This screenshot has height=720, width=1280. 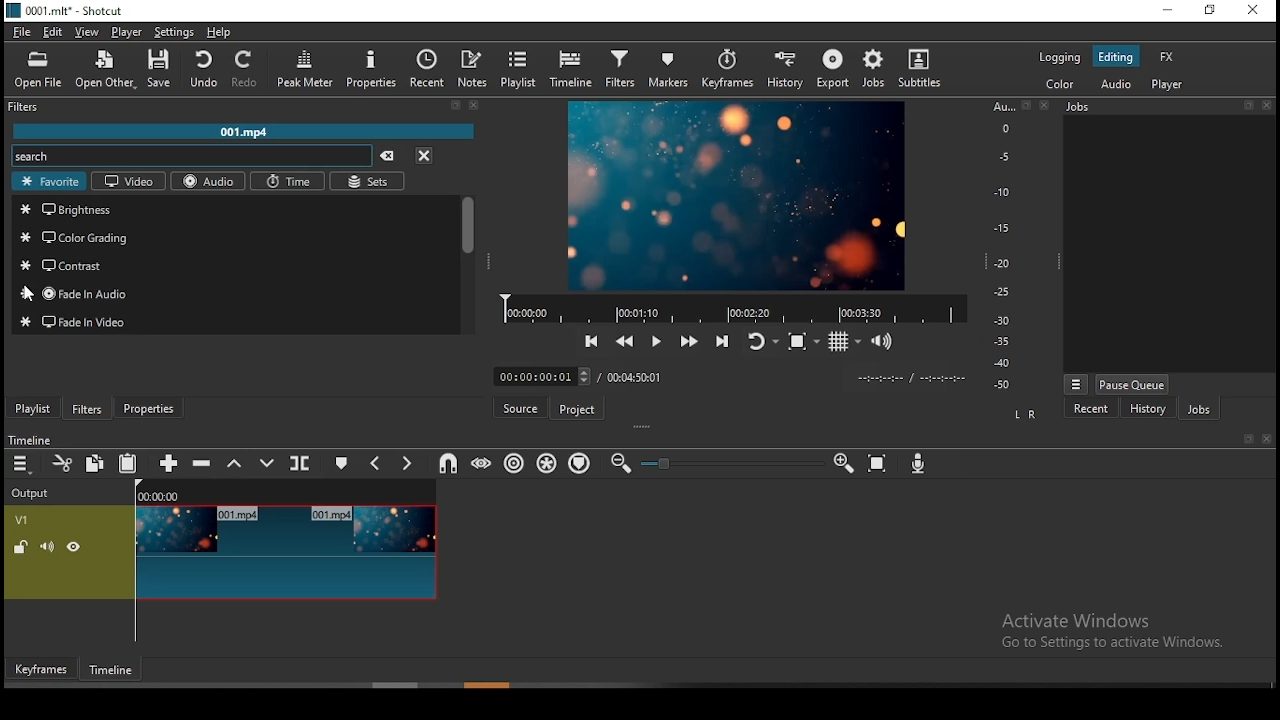 I want to click on close, so click(x=1267, y=440).